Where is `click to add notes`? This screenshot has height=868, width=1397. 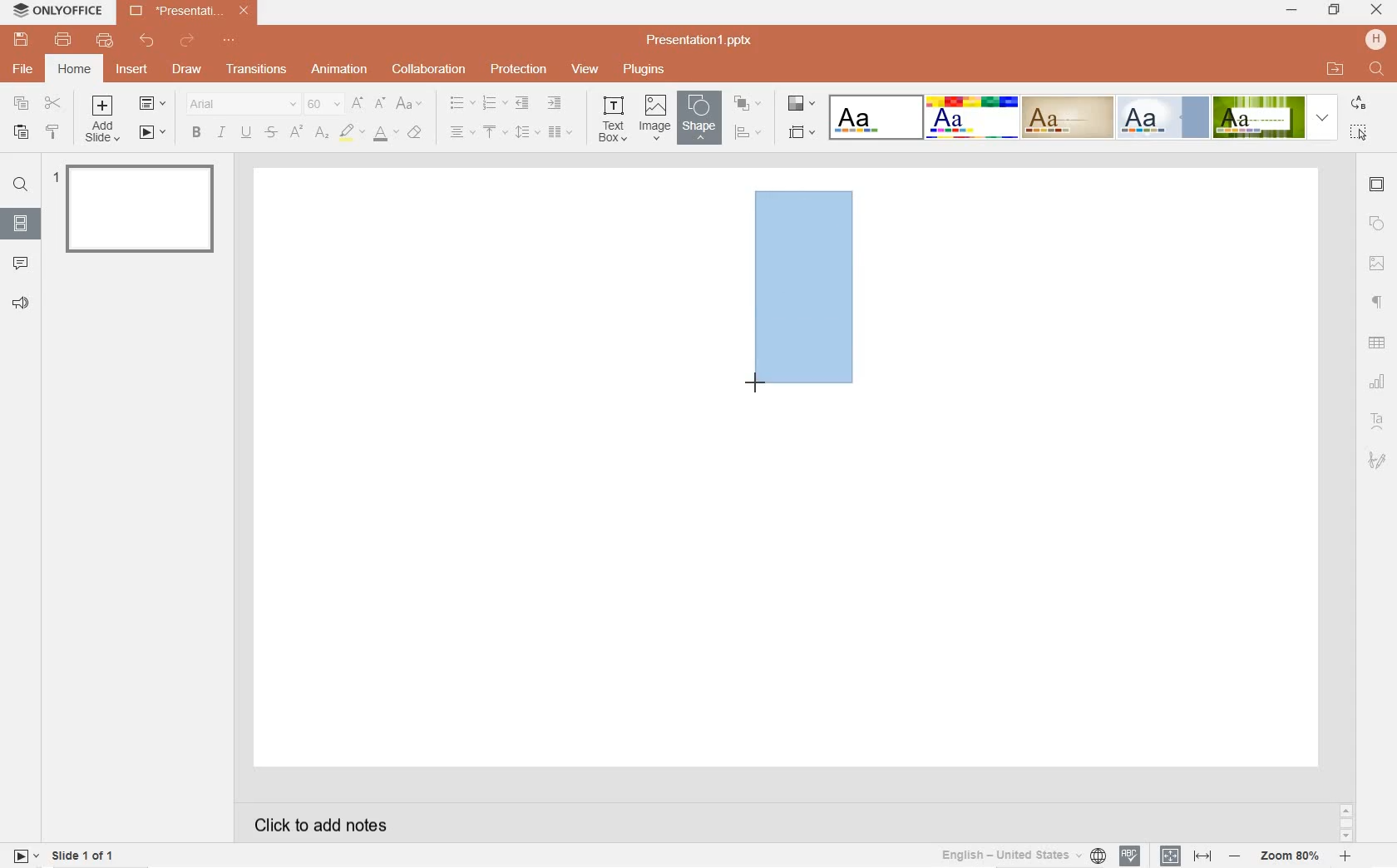
click to add notes is located at coordinates (314, 823).